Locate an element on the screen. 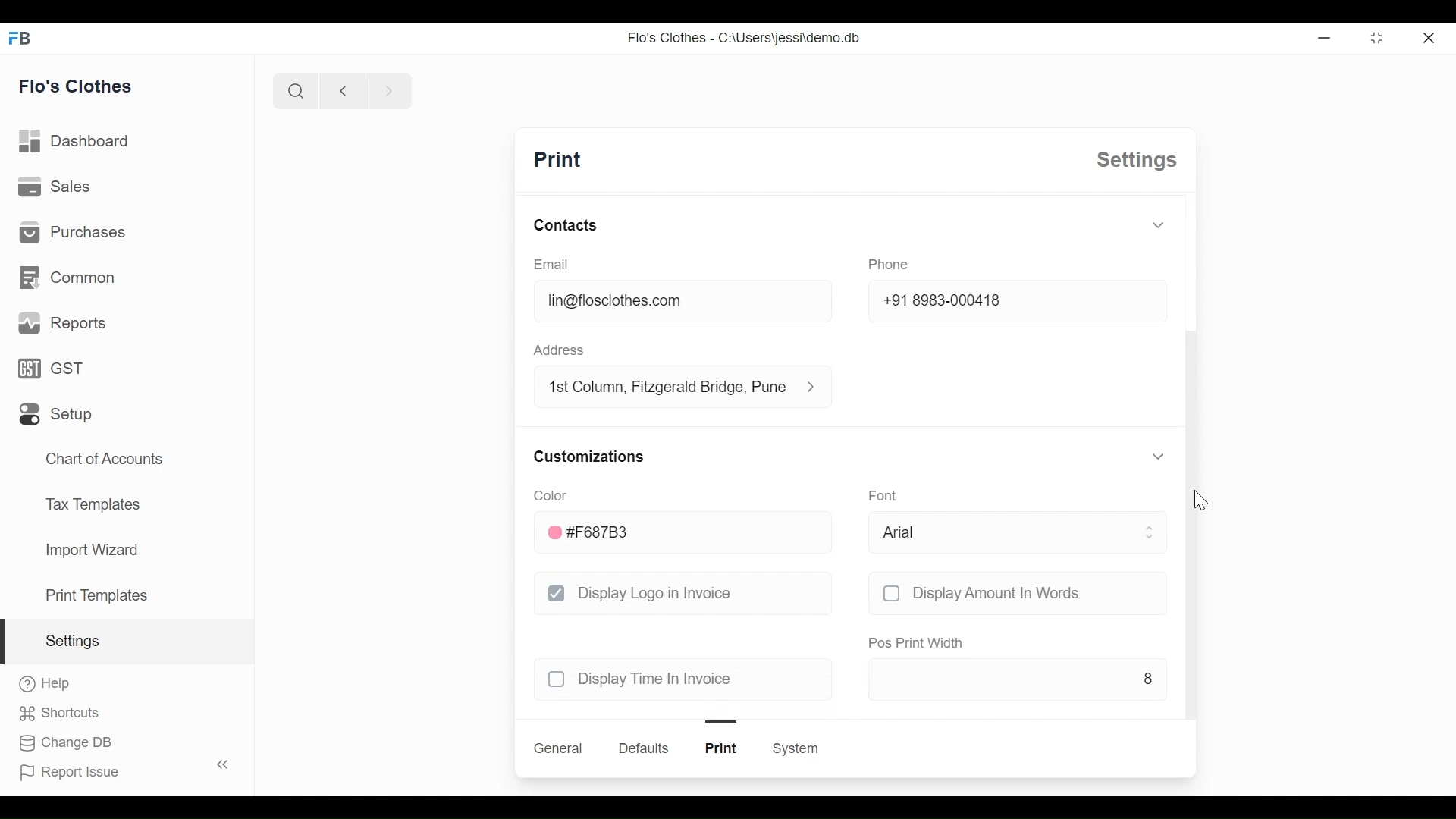 This screenshot has width=1456, height=819. print templates is located at coordinates (97, 595).